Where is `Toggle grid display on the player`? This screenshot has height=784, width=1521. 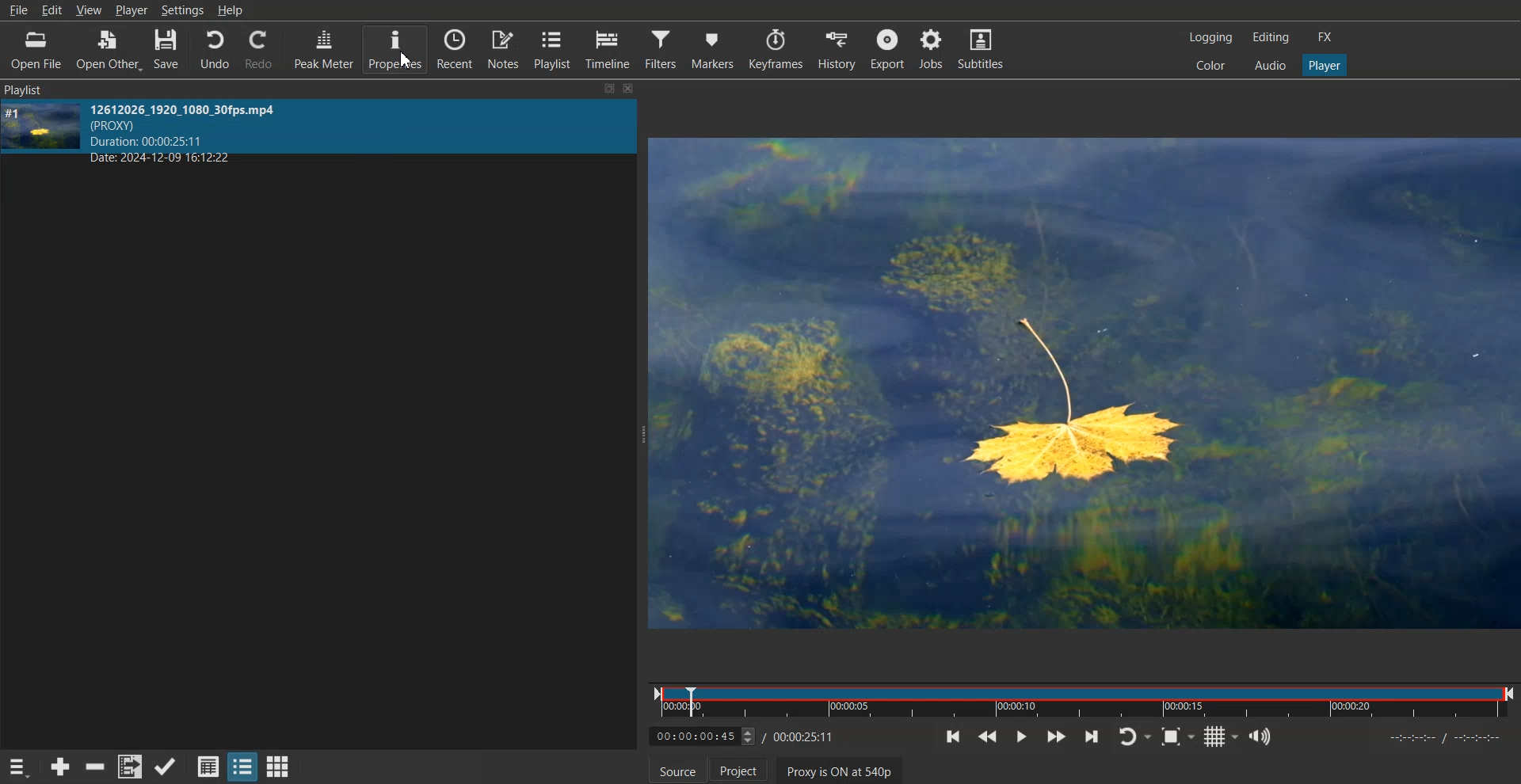
Toggle grid display on the player is located at coordinates (1221, 736).